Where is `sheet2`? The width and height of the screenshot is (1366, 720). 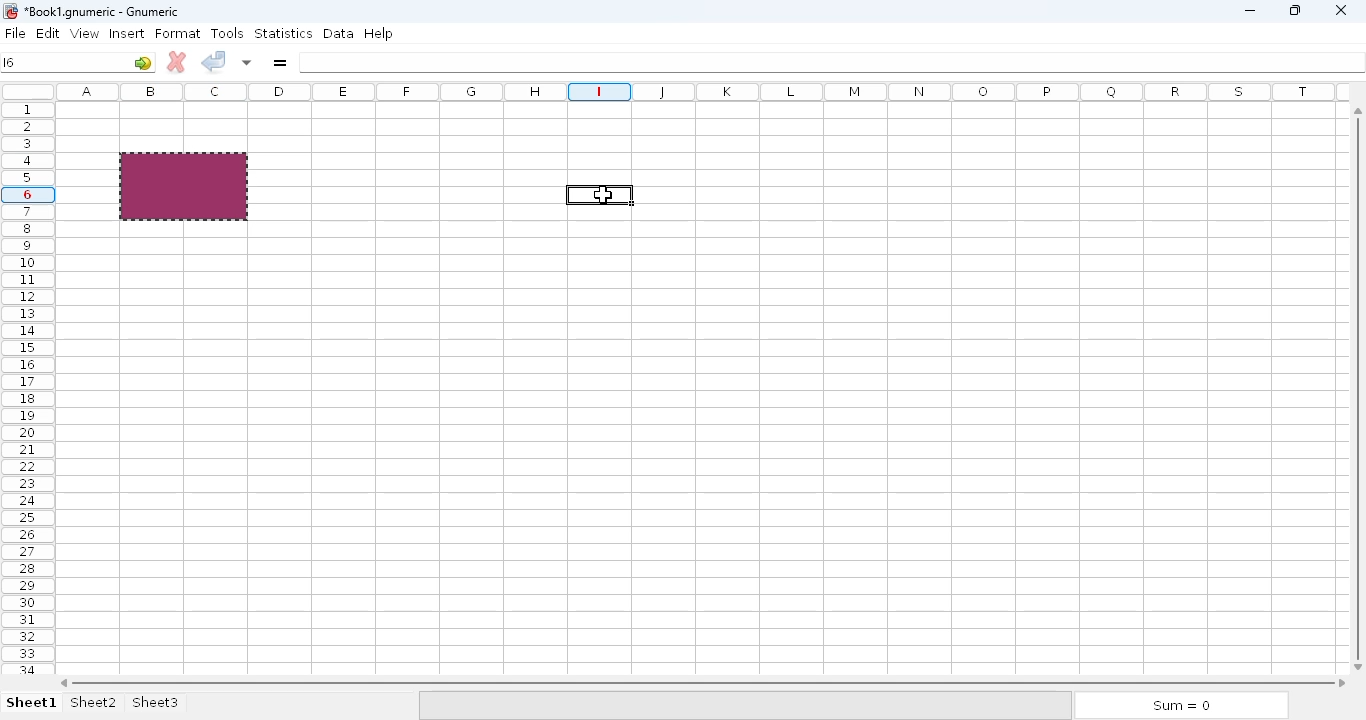 sheet2 is located at coordinates (93, 703).